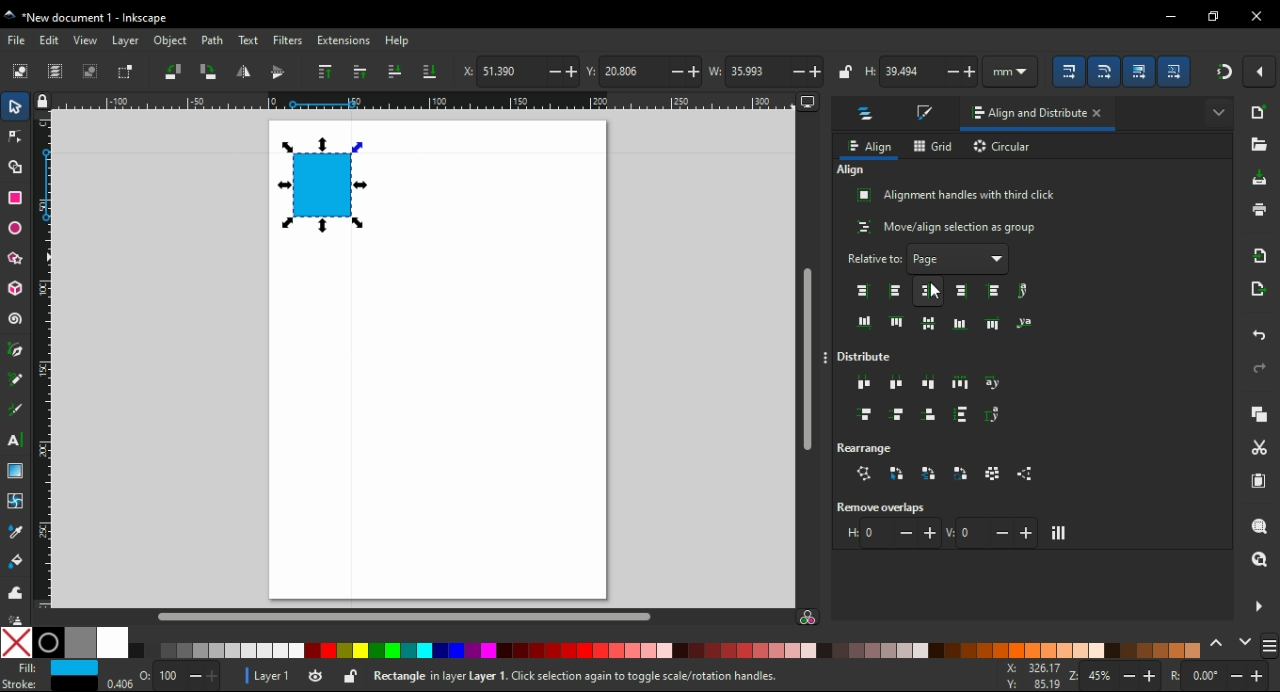  Describe the element at coordinates (1260, 368) in the screenshot. I see `redo` at that location.